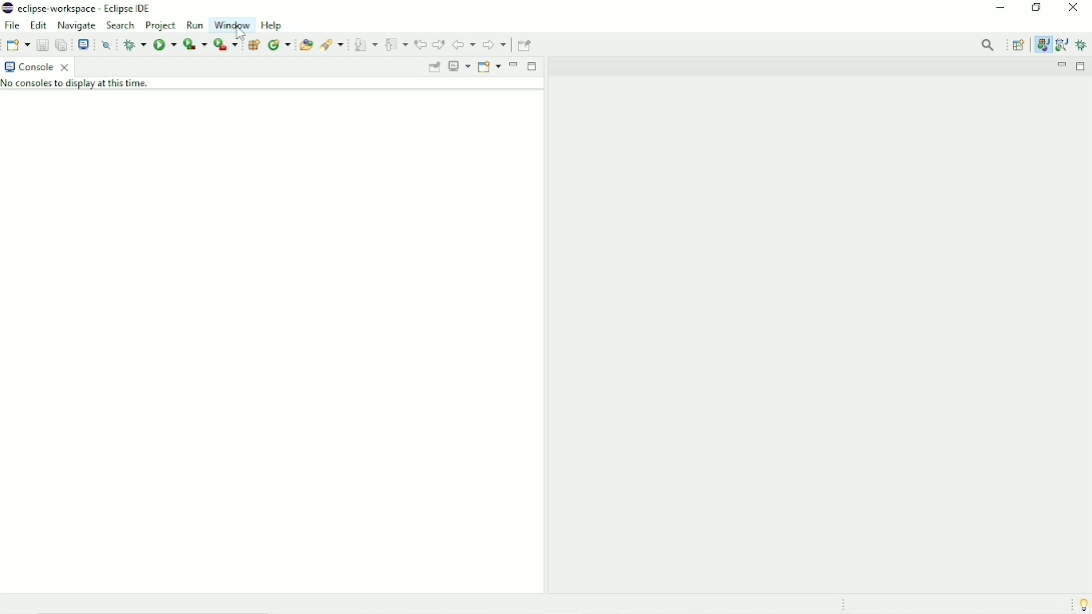 Image resolution: width=1092 pixels, height=614 pixels. What do you see at coordinates (41, 44) in the screenshot?
I see `Save` at bounding box center [41, 44].